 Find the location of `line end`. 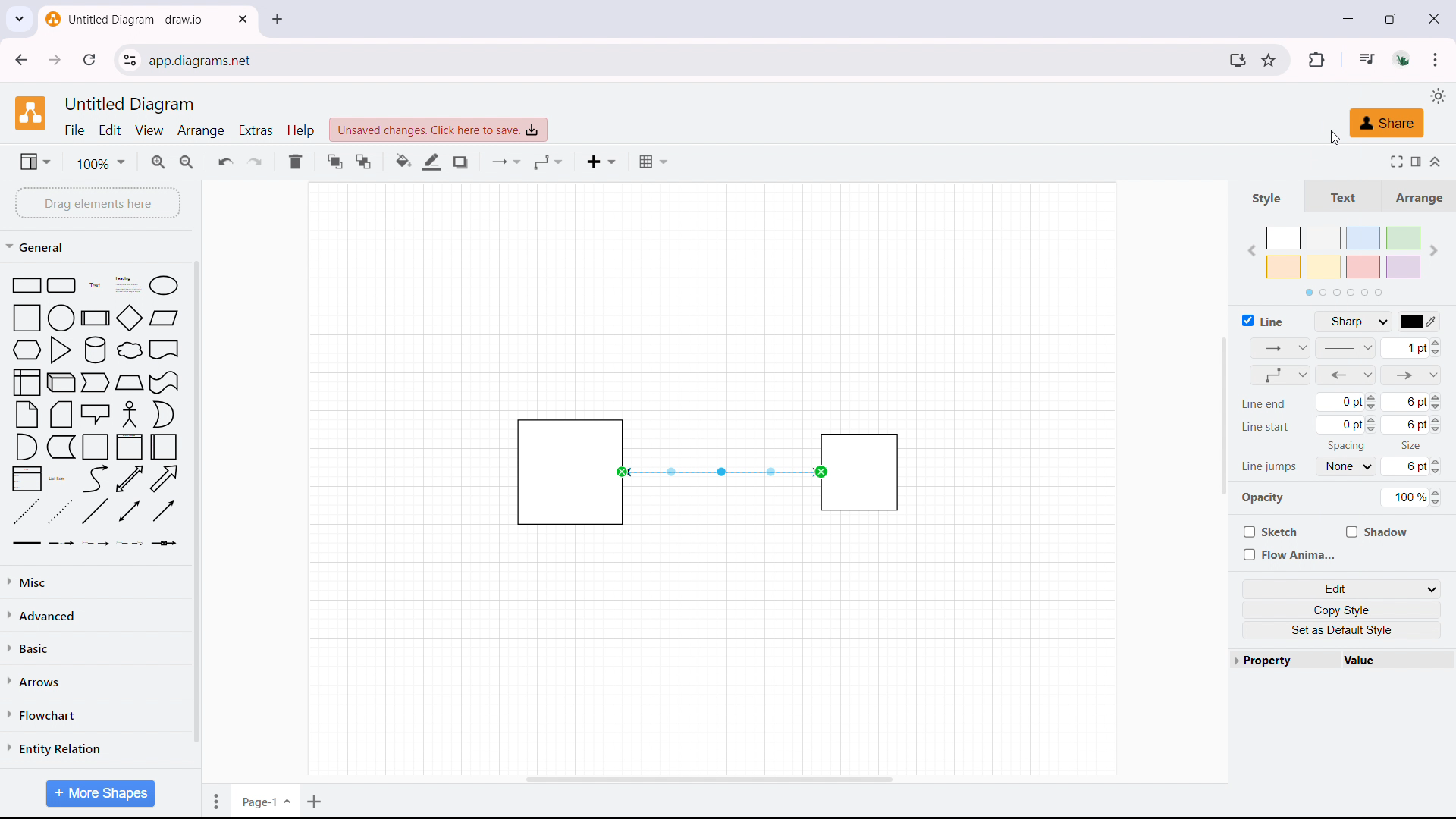

line end is located at coordinates (1412, 375).